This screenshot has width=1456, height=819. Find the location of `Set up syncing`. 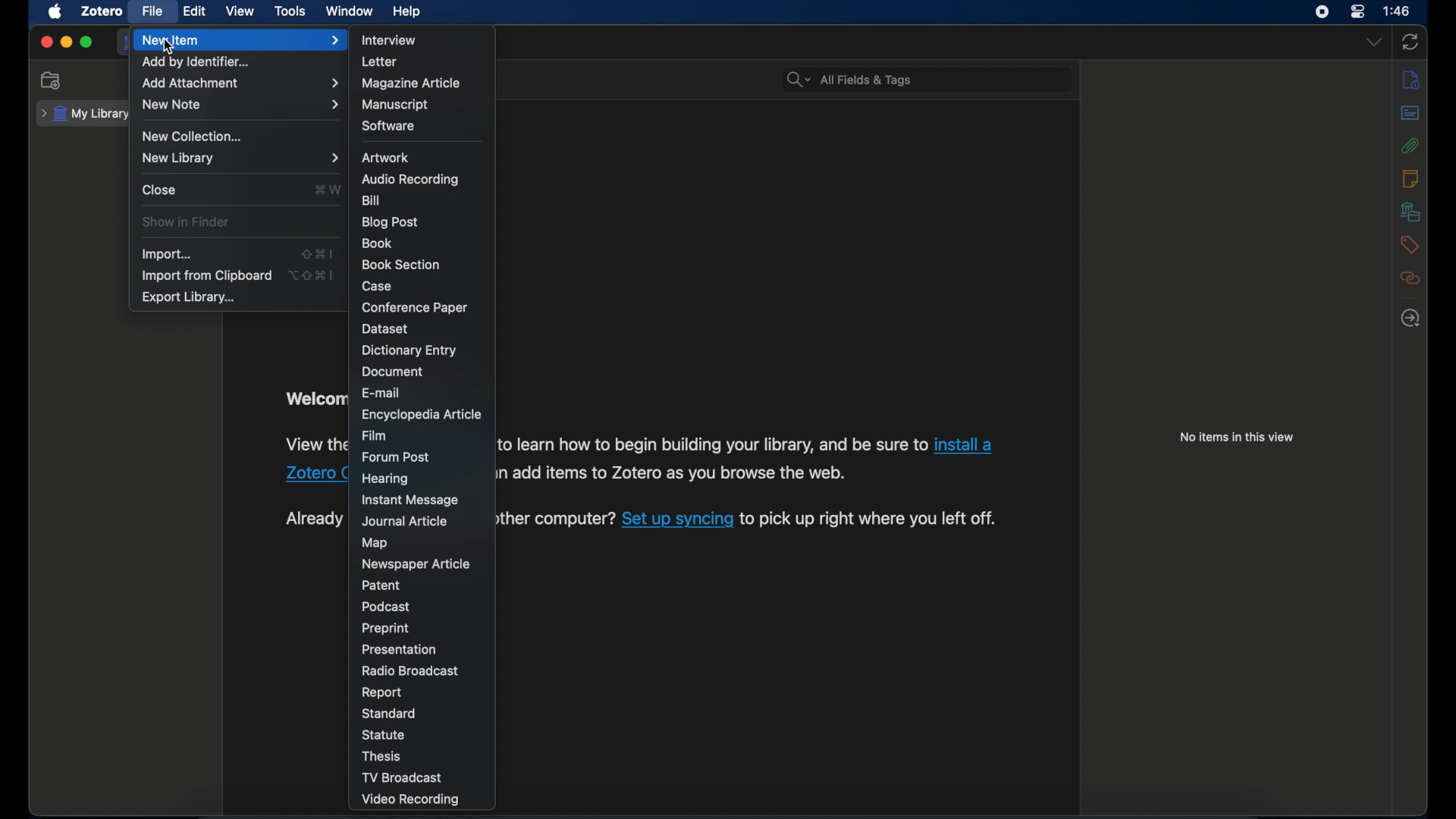

Set up syncing is located at coordinates (676, 520).